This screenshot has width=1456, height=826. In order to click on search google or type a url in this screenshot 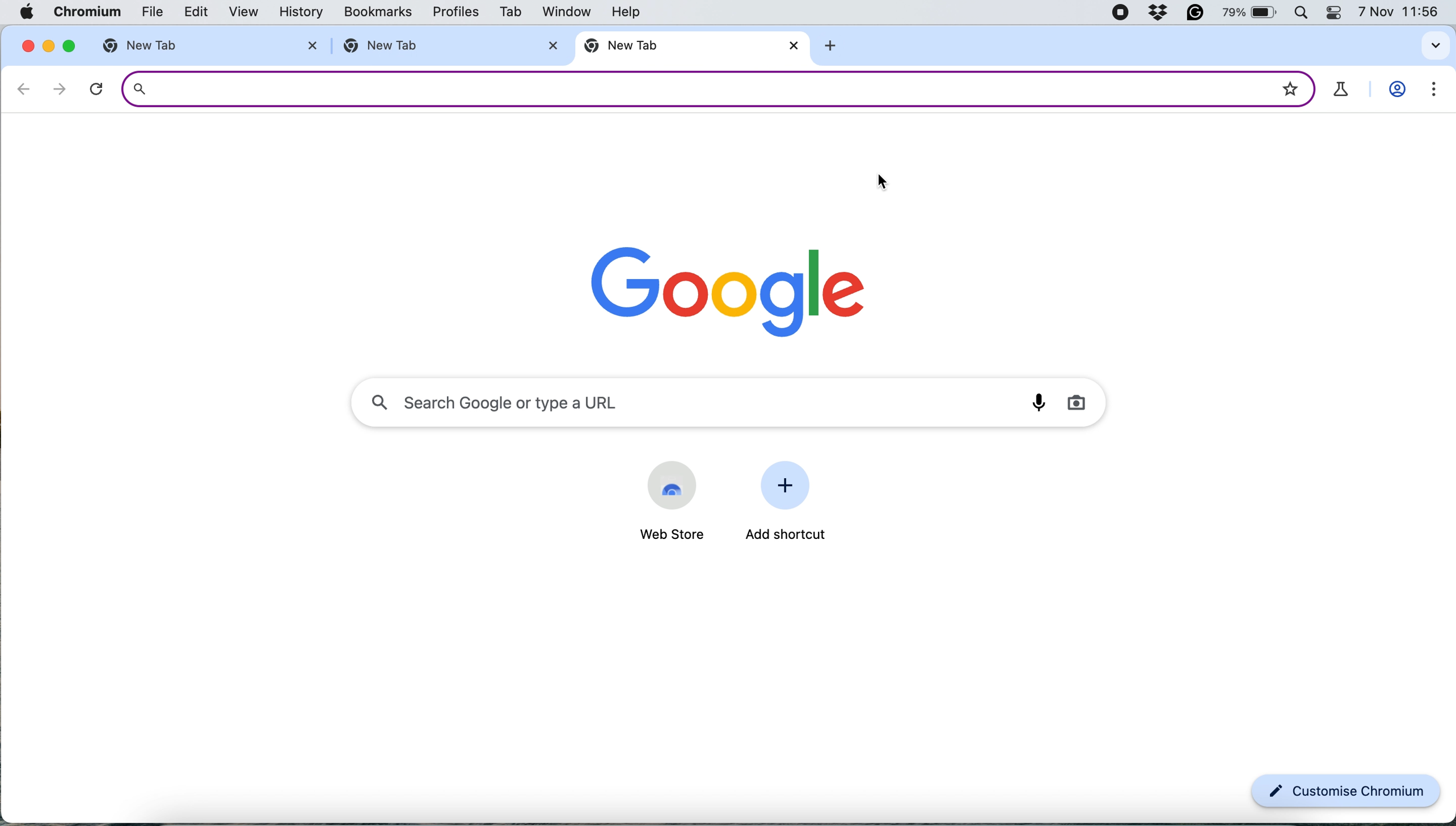, I will do `click(731, 399)`.